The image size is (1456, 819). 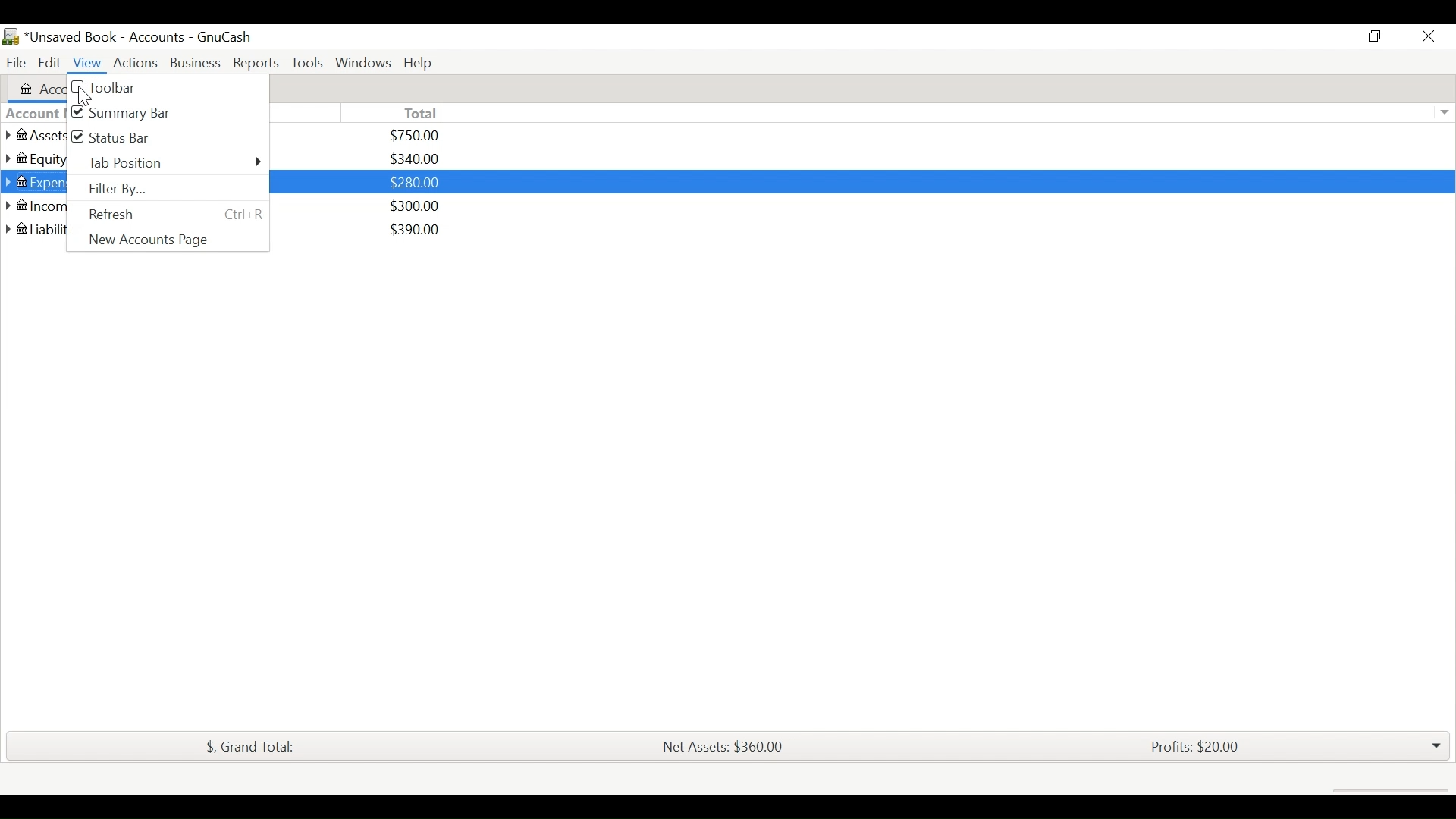 What do you see at coordinates (228, 39) in the screenshot?
I see `GnuCash` at bounding box center [228, 39].